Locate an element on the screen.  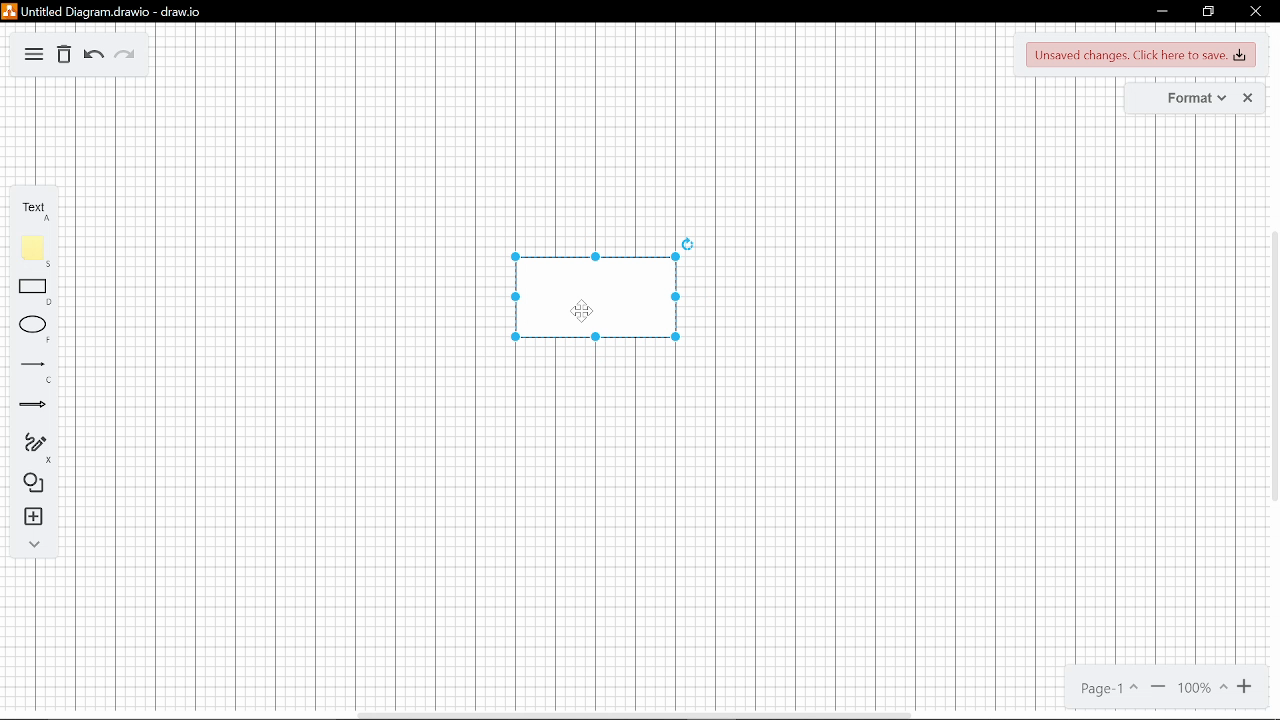
Unsaved changes is located at coordinates (1142, 54).